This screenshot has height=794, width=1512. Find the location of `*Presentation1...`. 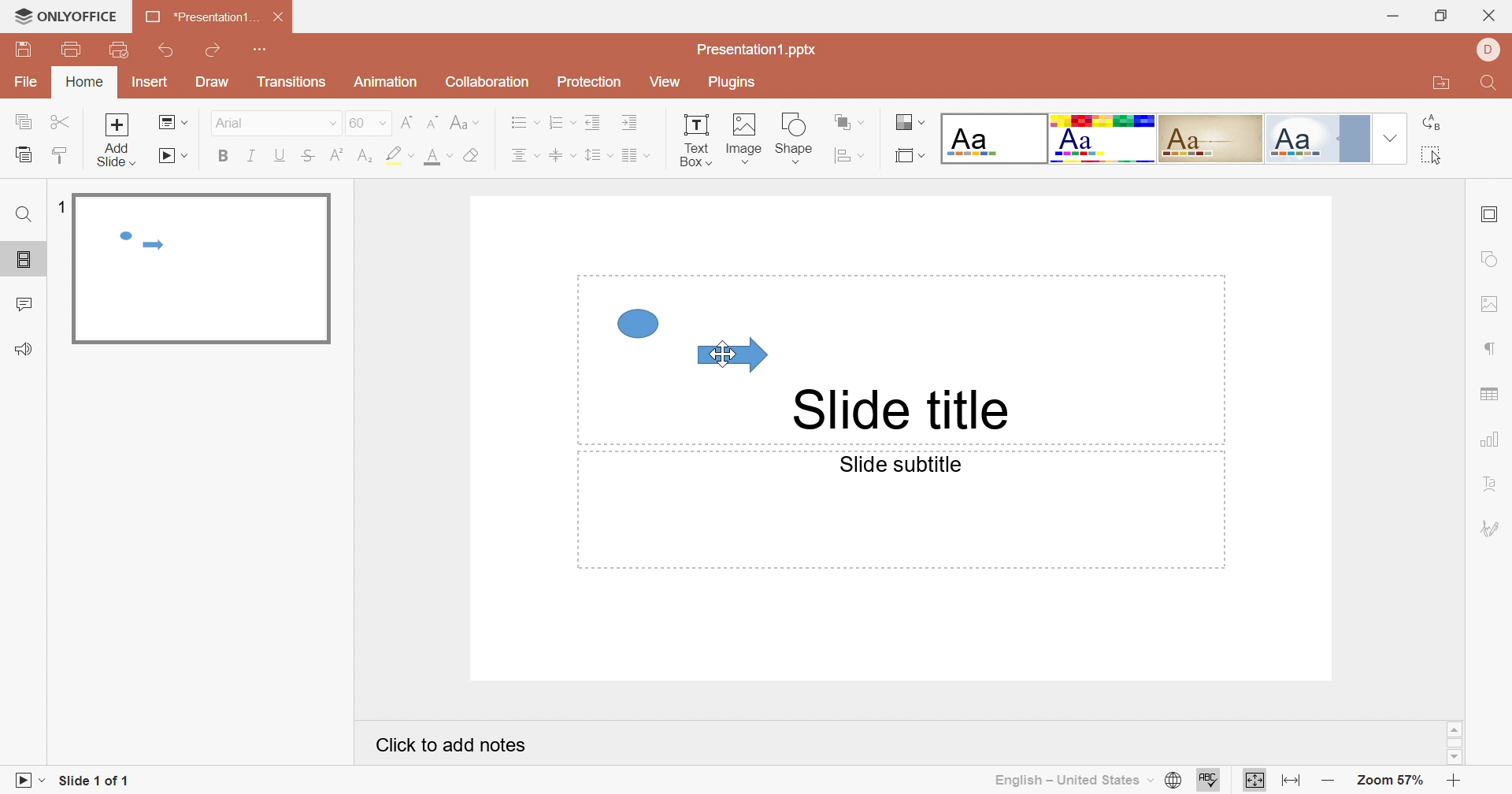

*Presentation1... is located at coordinates (204, 19).